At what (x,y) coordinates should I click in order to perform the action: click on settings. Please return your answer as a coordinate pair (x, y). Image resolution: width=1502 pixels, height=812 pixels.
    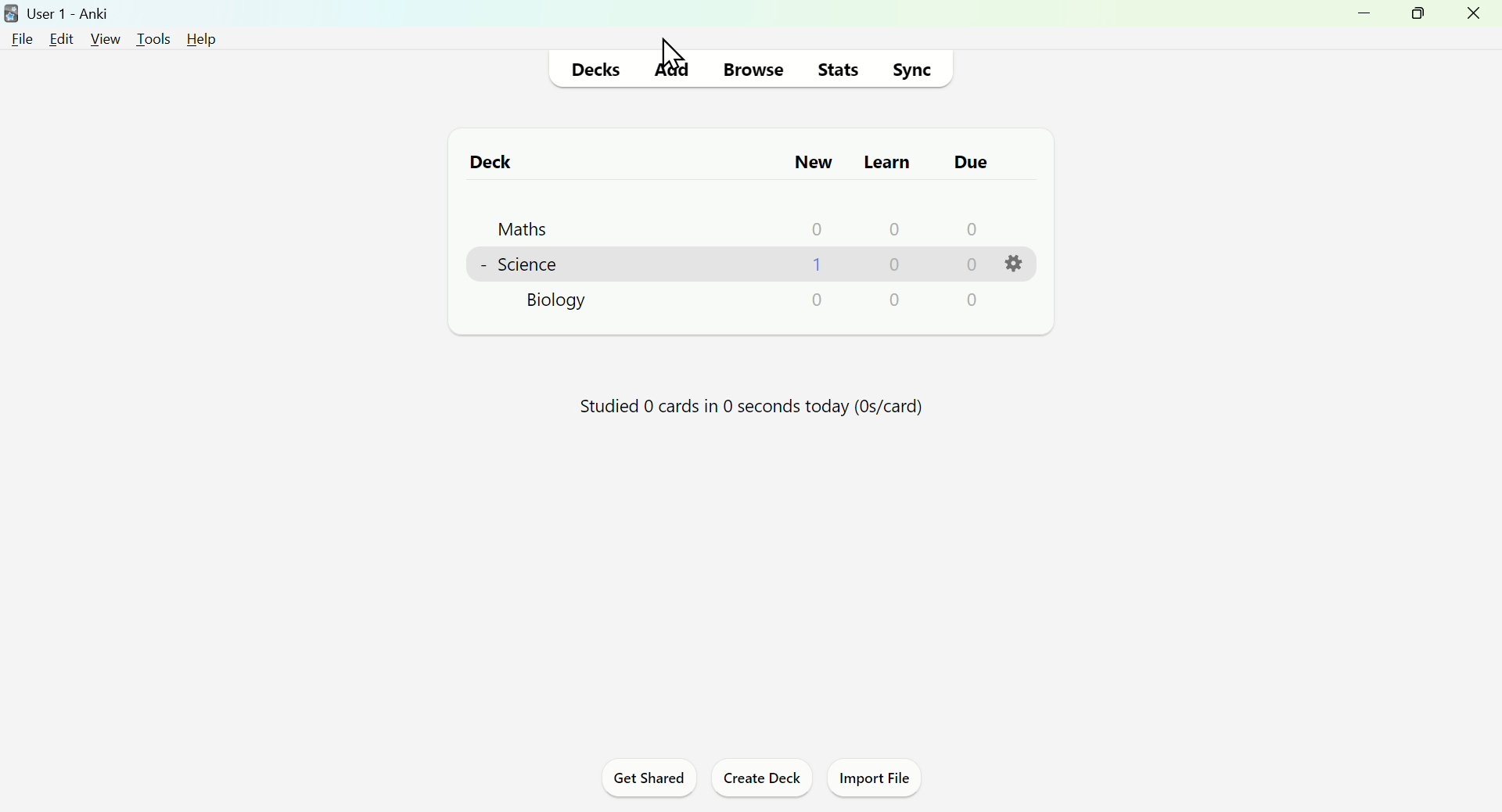
    Looking at the image, I should click on (1014, 269).